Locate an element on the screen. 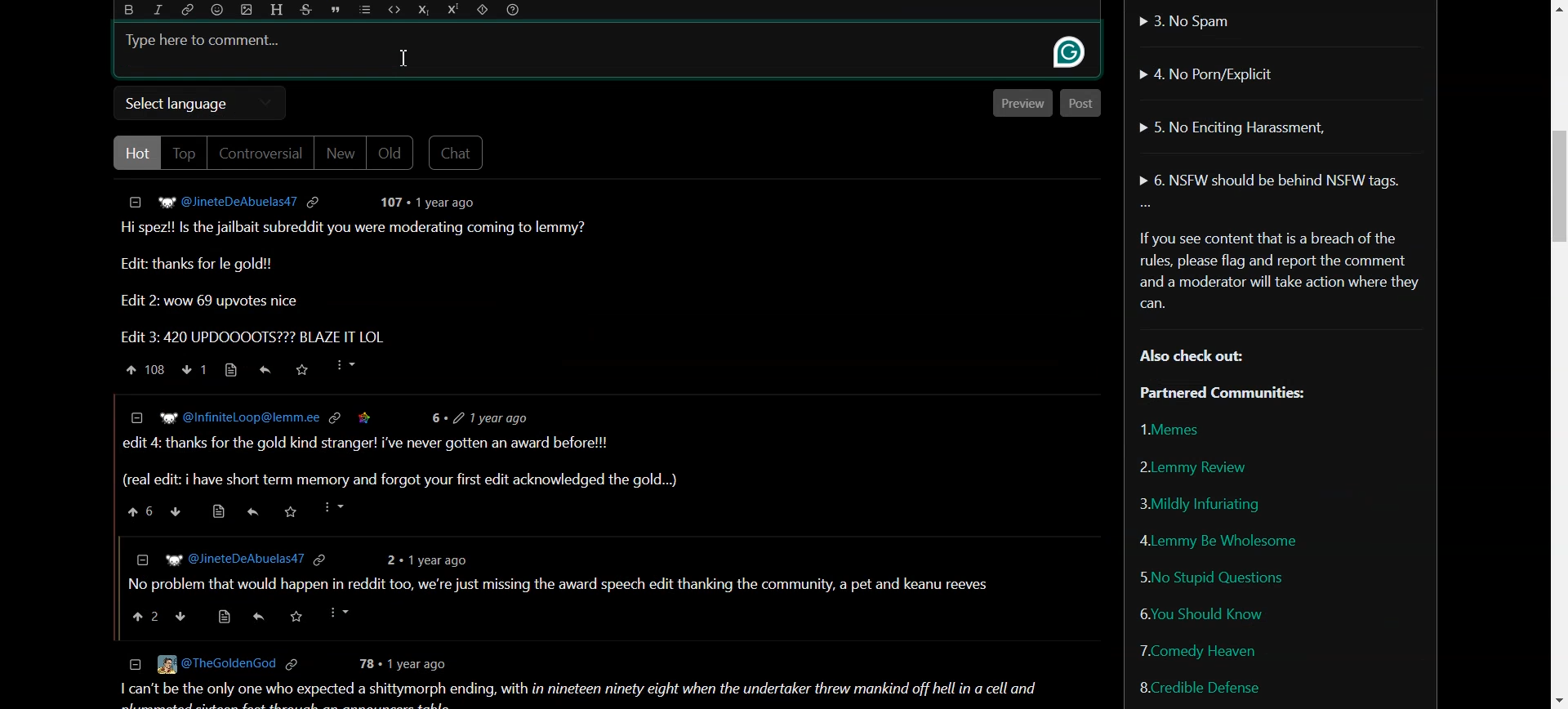  NSFW should be behind NSFW tags is located at coordinates (1273, 181).